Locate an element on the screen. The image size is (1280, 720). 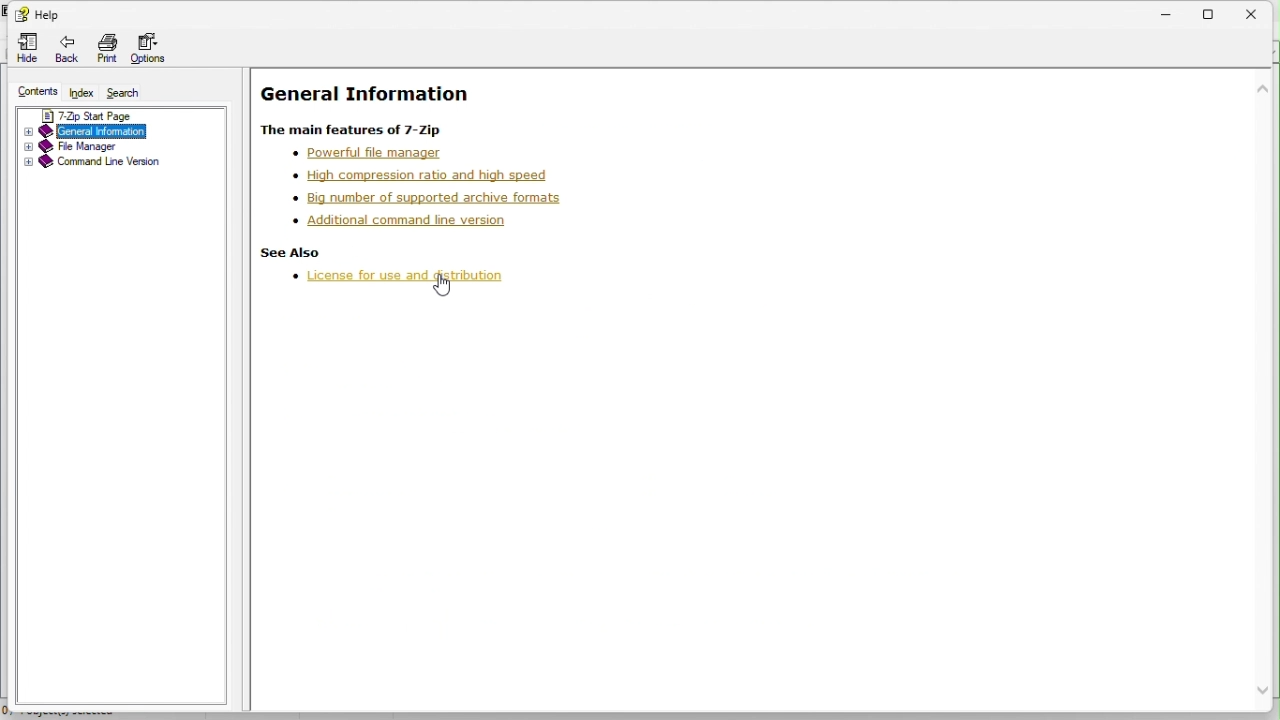
General information is located at coordinates (121, 131).